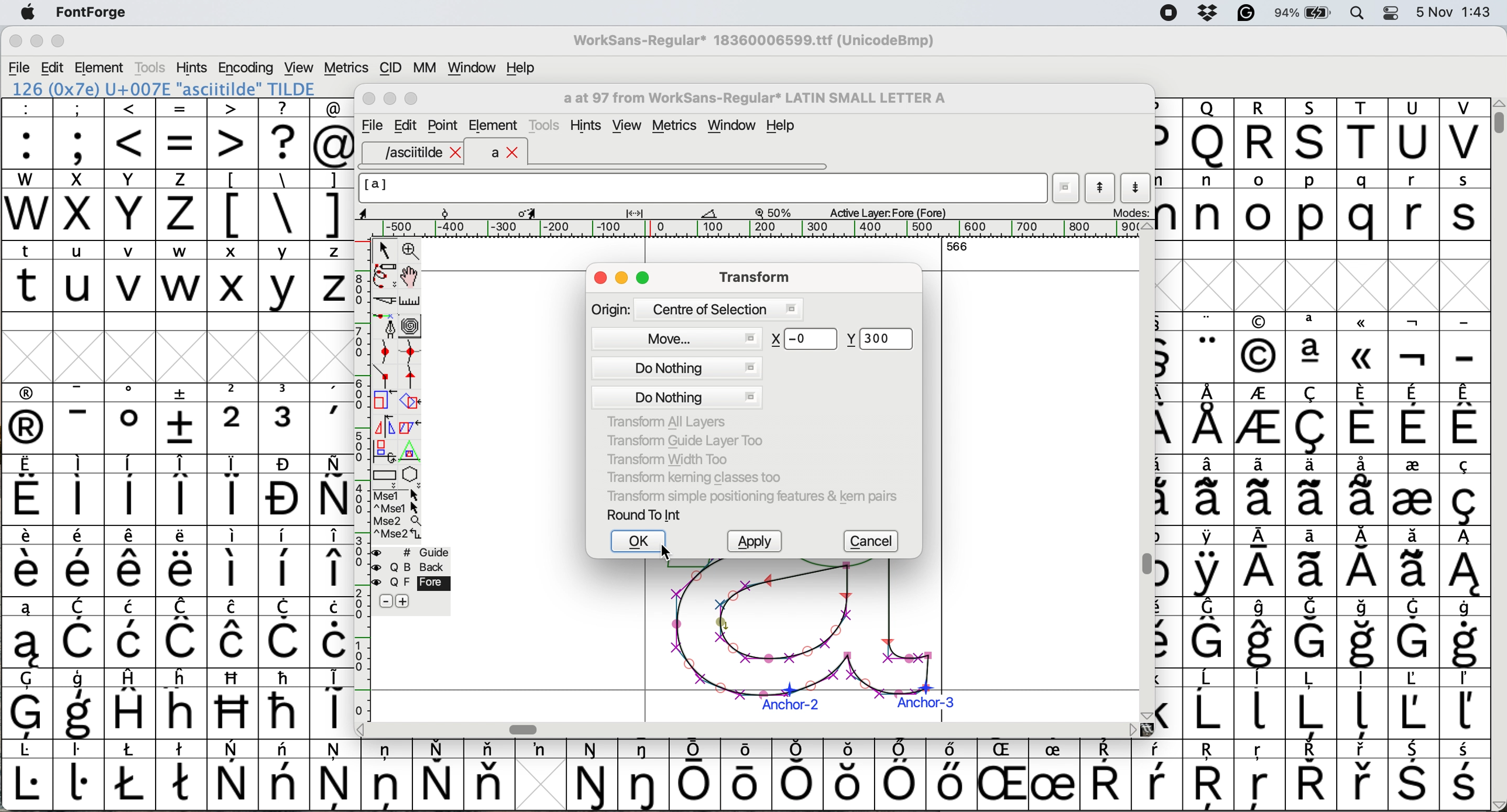  I want to click on metrics, so click(346, 68).